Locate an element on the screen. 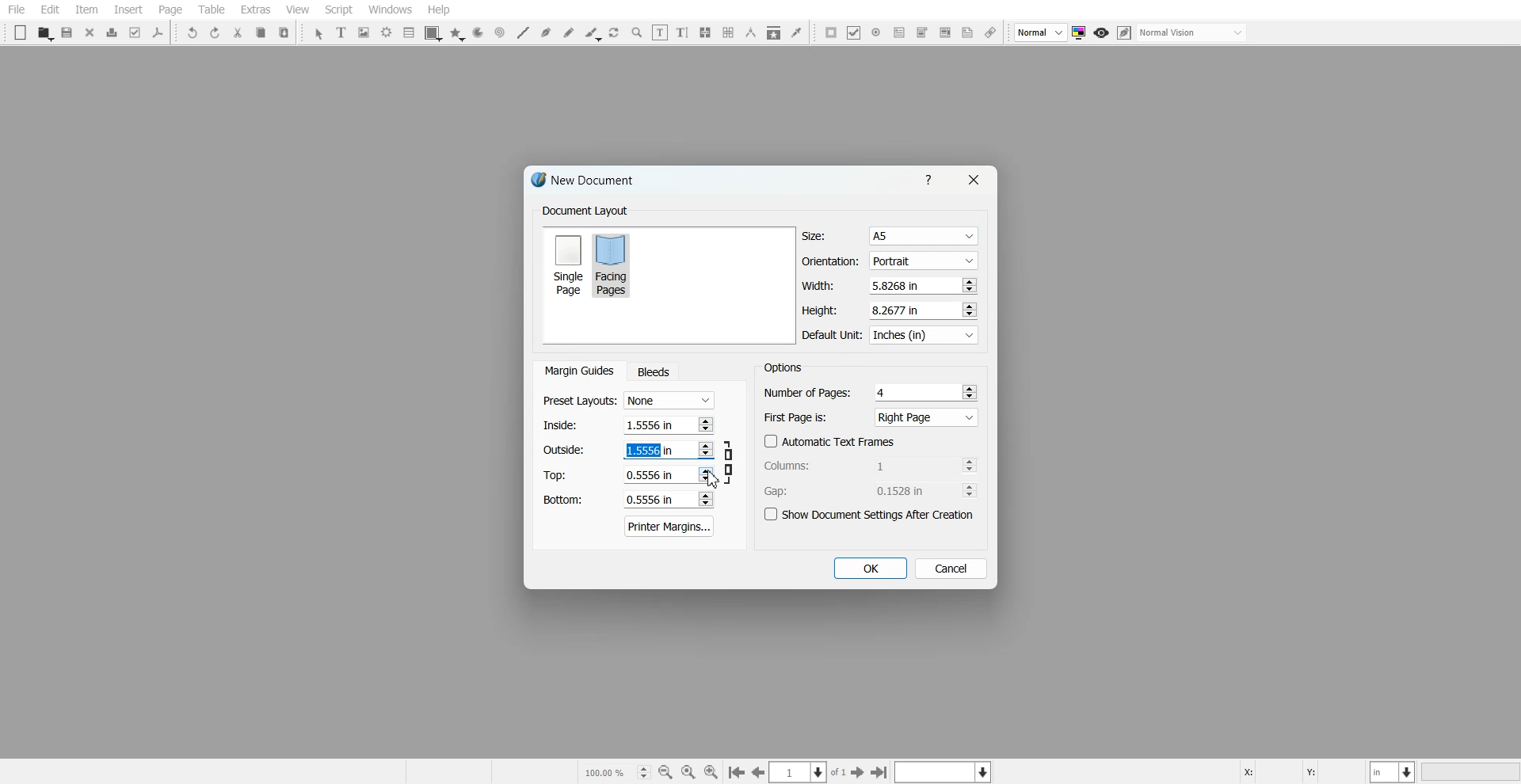 This screenshot has height=784, width=1521. Text Frame is located at coordinates (342, 32).